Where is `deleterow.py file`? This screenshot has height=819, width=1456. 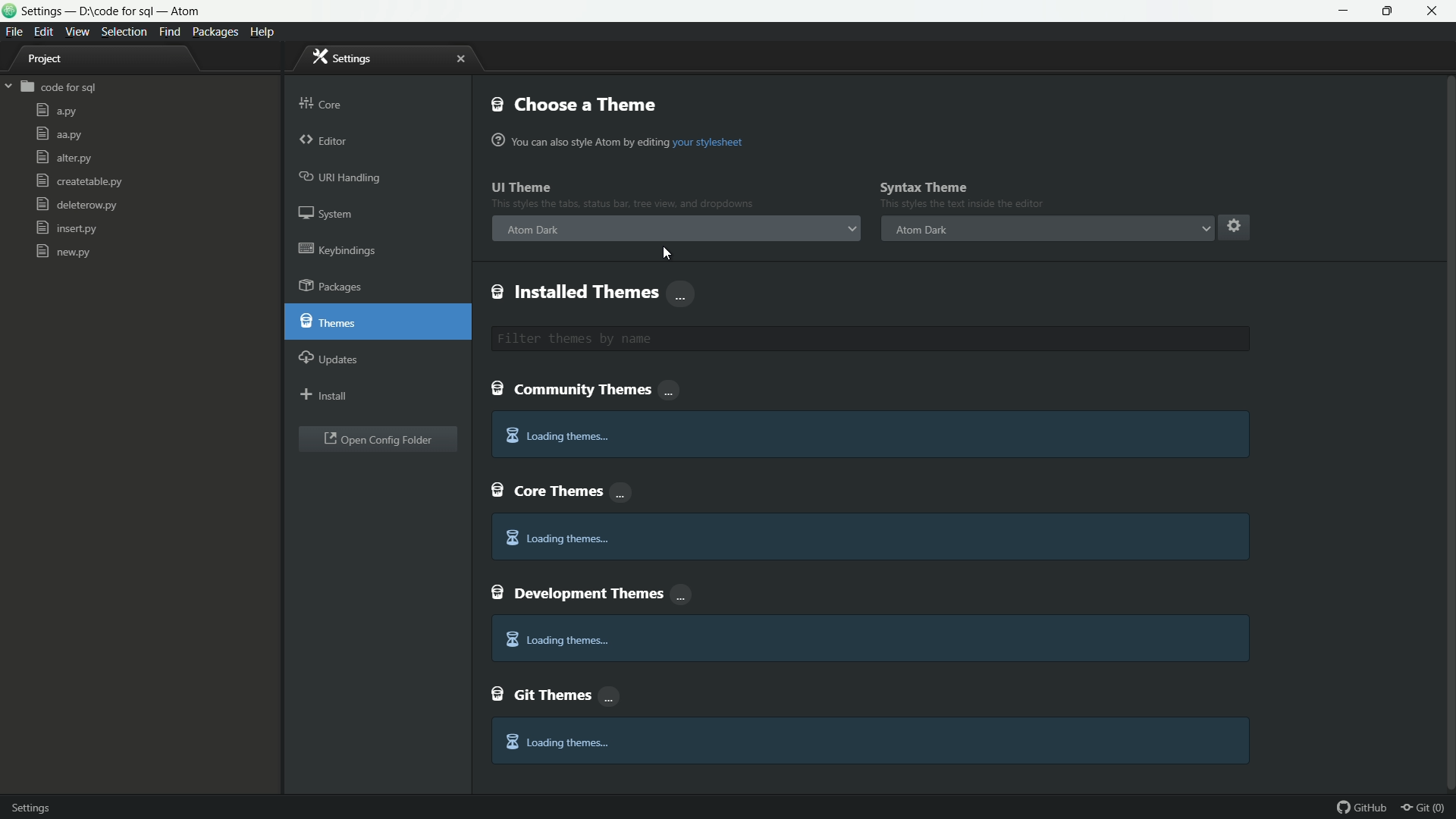
deleterow.py file is located at coordinates (77, 204).